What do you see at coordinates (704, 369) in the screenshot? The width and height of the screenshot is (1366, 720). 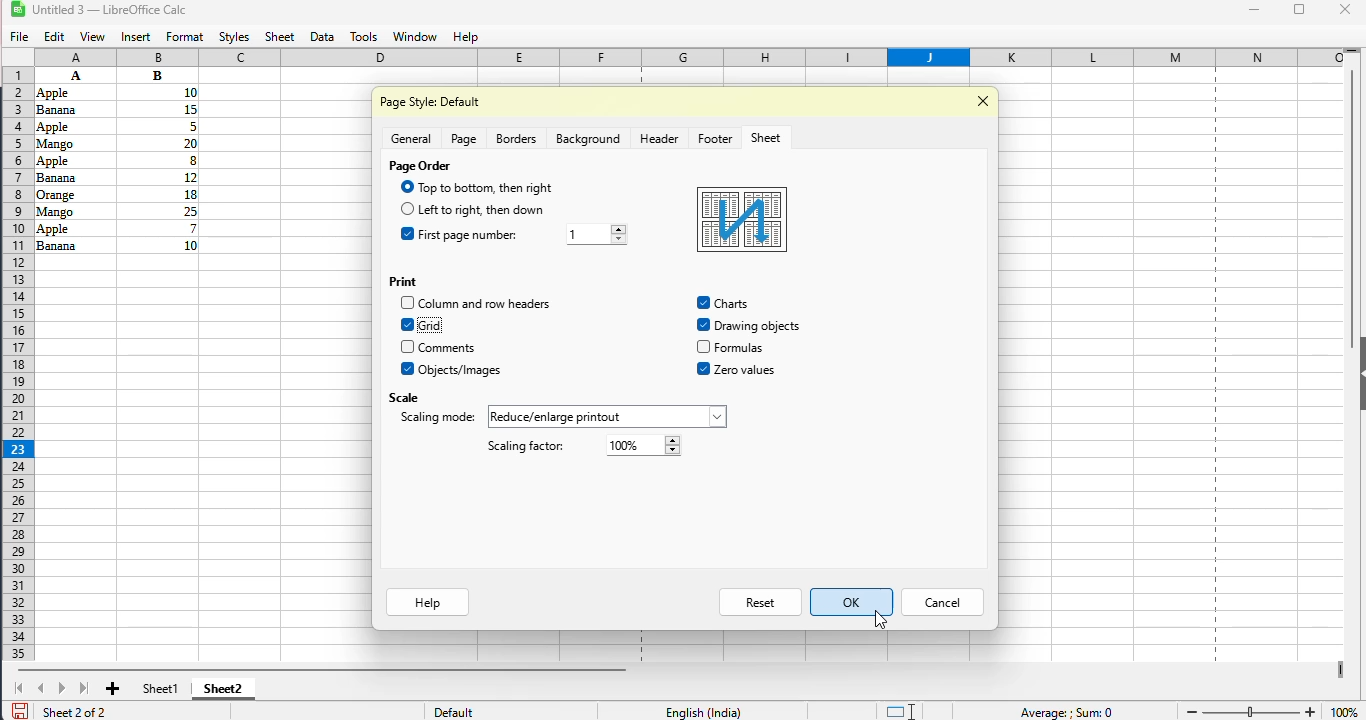 I see `zero values` at bounding box center [704, 369].